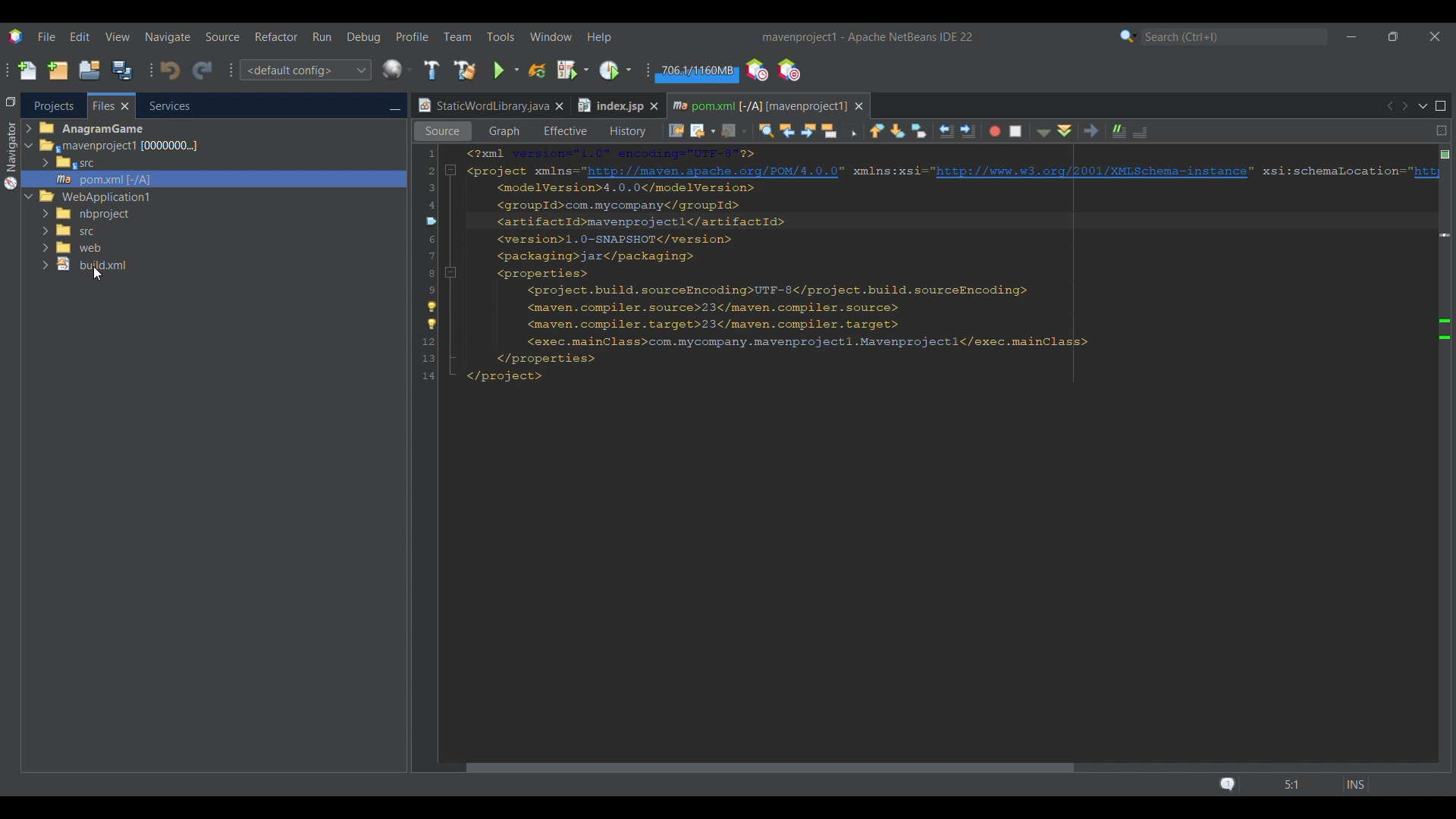 This screenshot has height=819, width=1456. What do you see at coordinates (9, 155) in the screenshot?
I see `Navigator menu` at bounding box center [9, 155].